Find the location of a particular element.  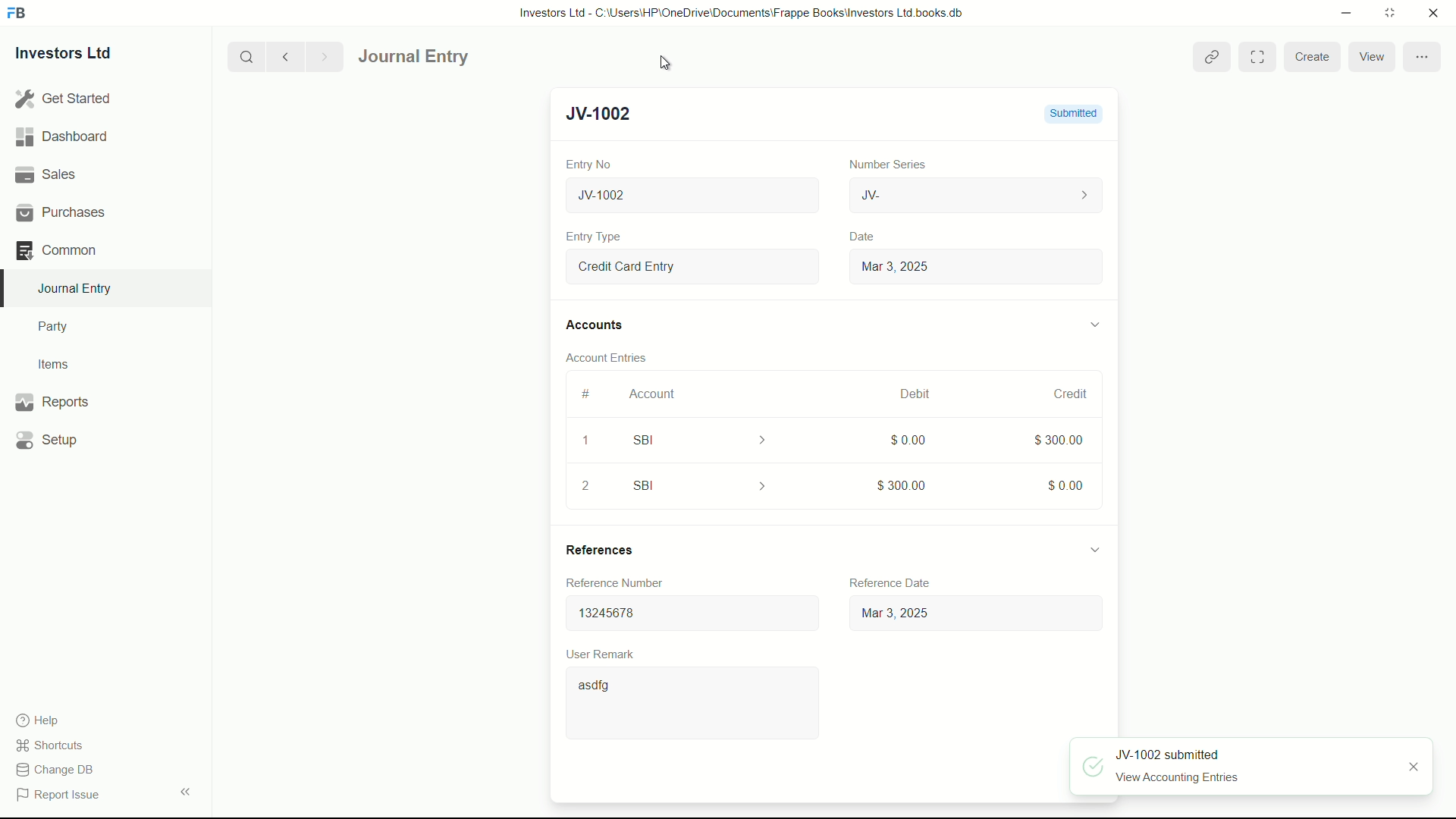

Entry Type is located at coordinates (594, 237).